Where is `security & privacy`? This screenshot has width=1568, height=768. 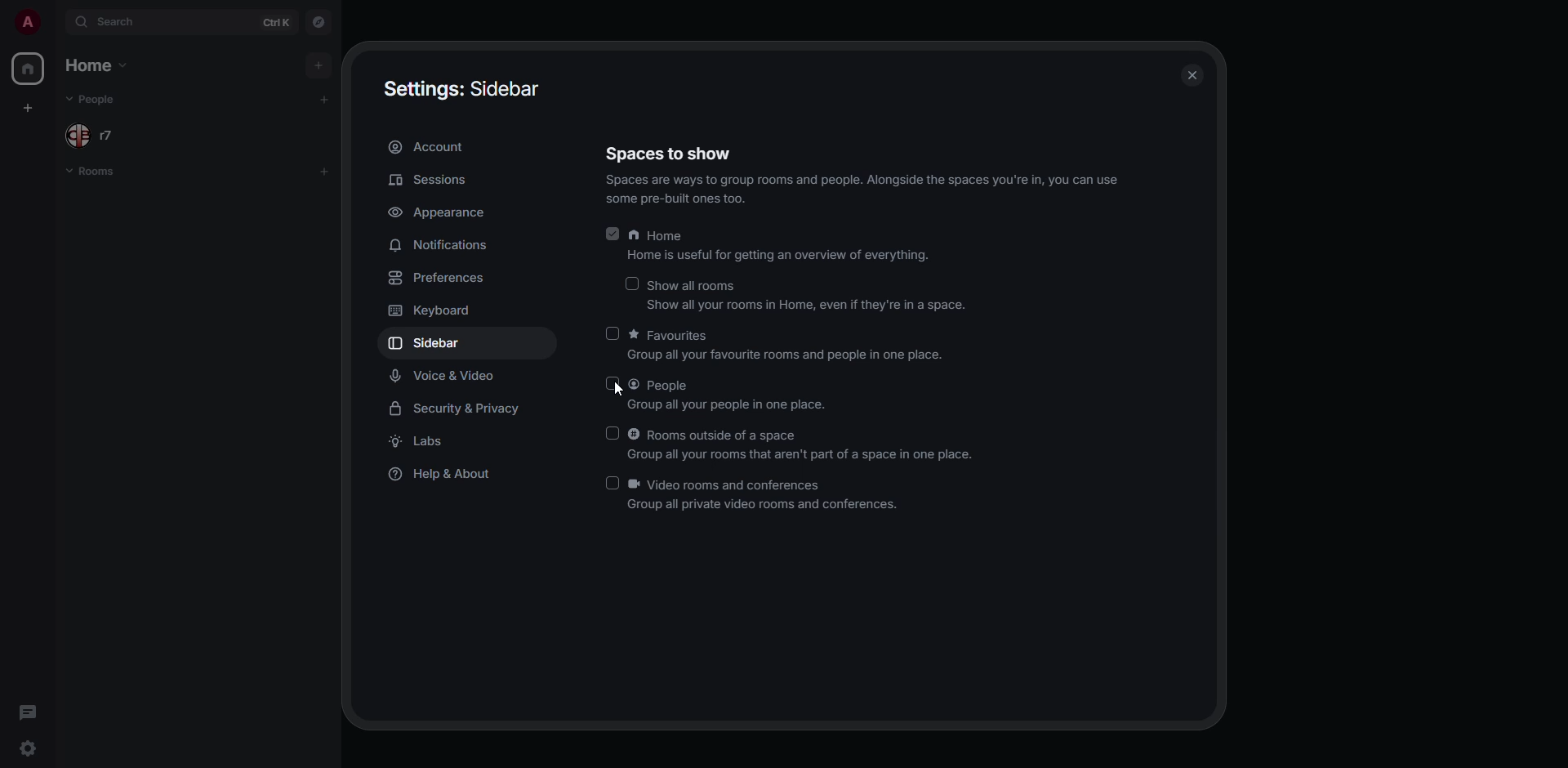 security & privacy is located at coordinates (457, 410).